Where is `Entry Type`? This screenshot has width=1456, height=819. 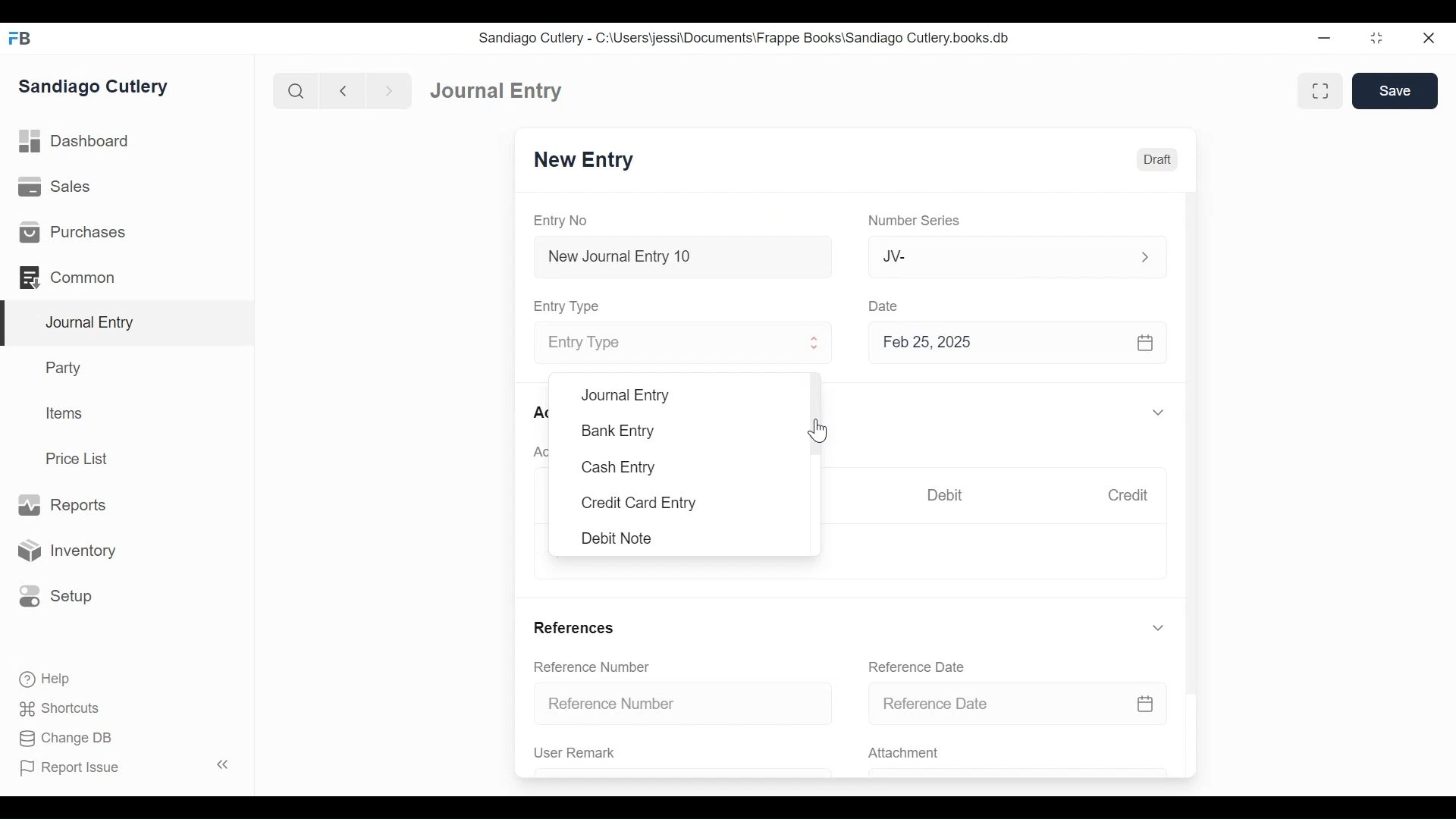
Entry Type is located at coordinates (665, 344).